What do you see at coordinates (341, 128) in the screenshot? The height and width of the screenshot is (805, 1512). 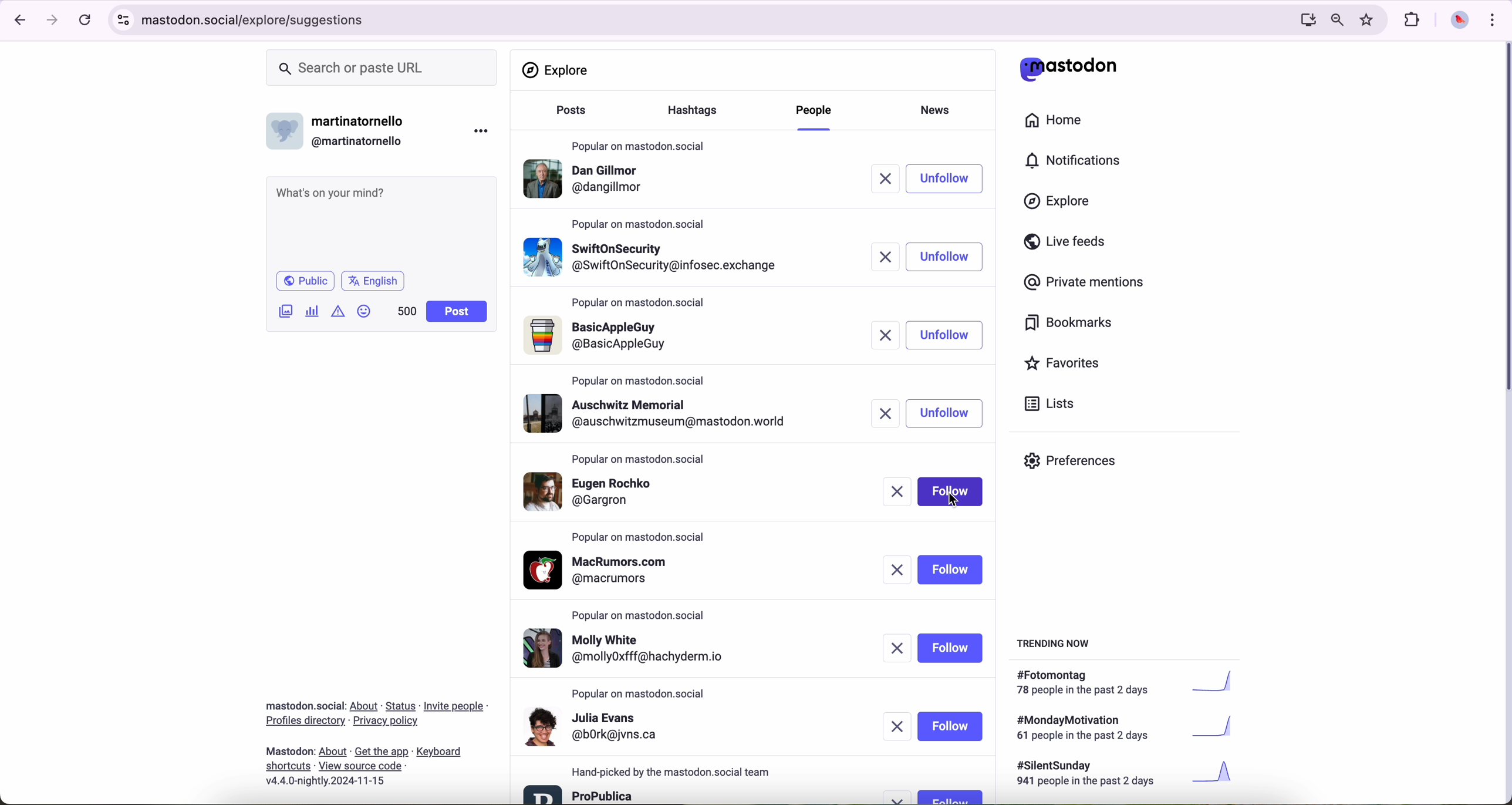 I see `username` at bounding box center [341, 128].